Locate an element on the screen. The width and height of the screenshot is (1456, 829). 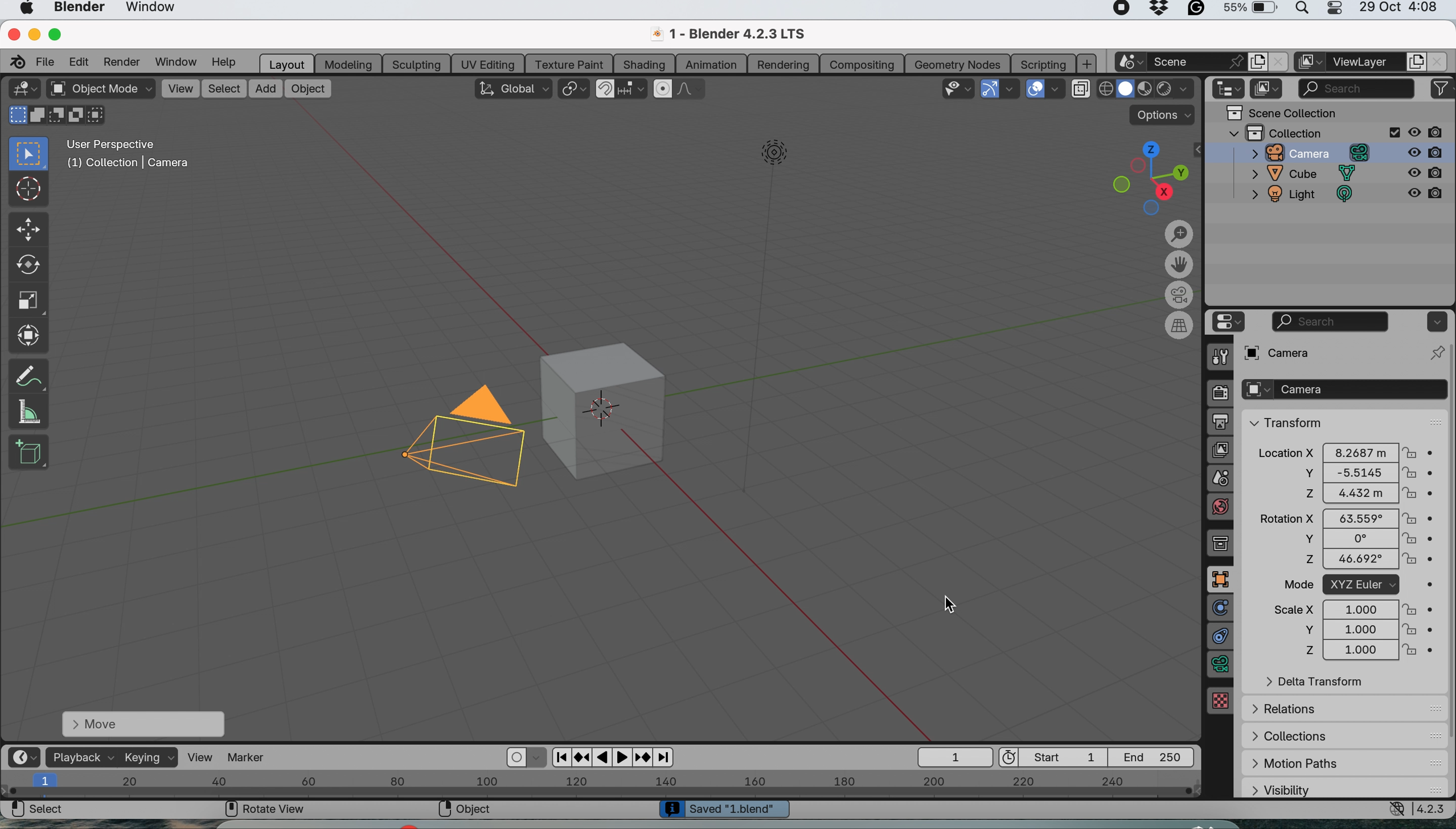
sculpting is located at coordinates (416, 64).